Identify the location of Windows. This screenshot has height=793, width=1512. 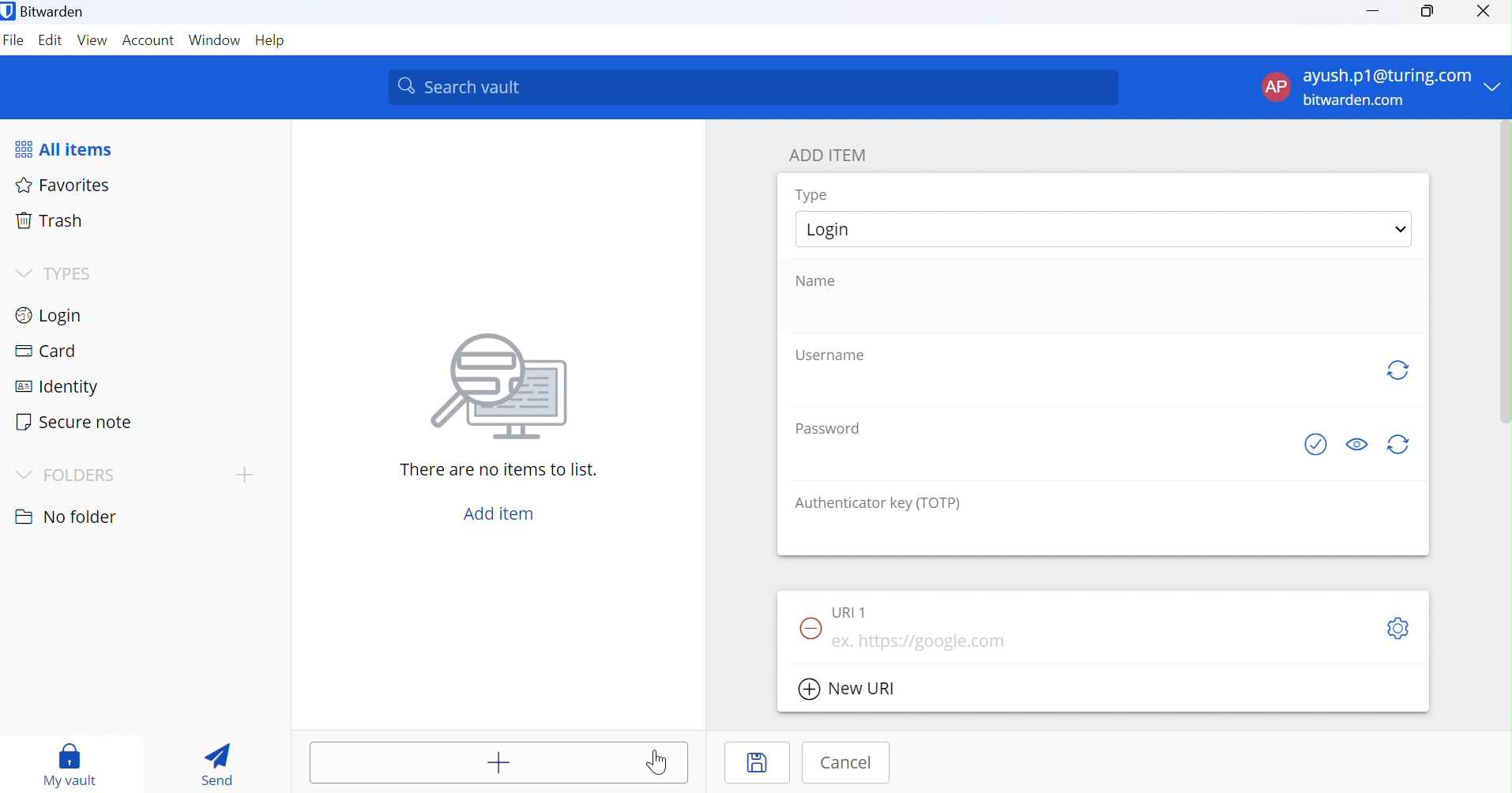
(215, 43).